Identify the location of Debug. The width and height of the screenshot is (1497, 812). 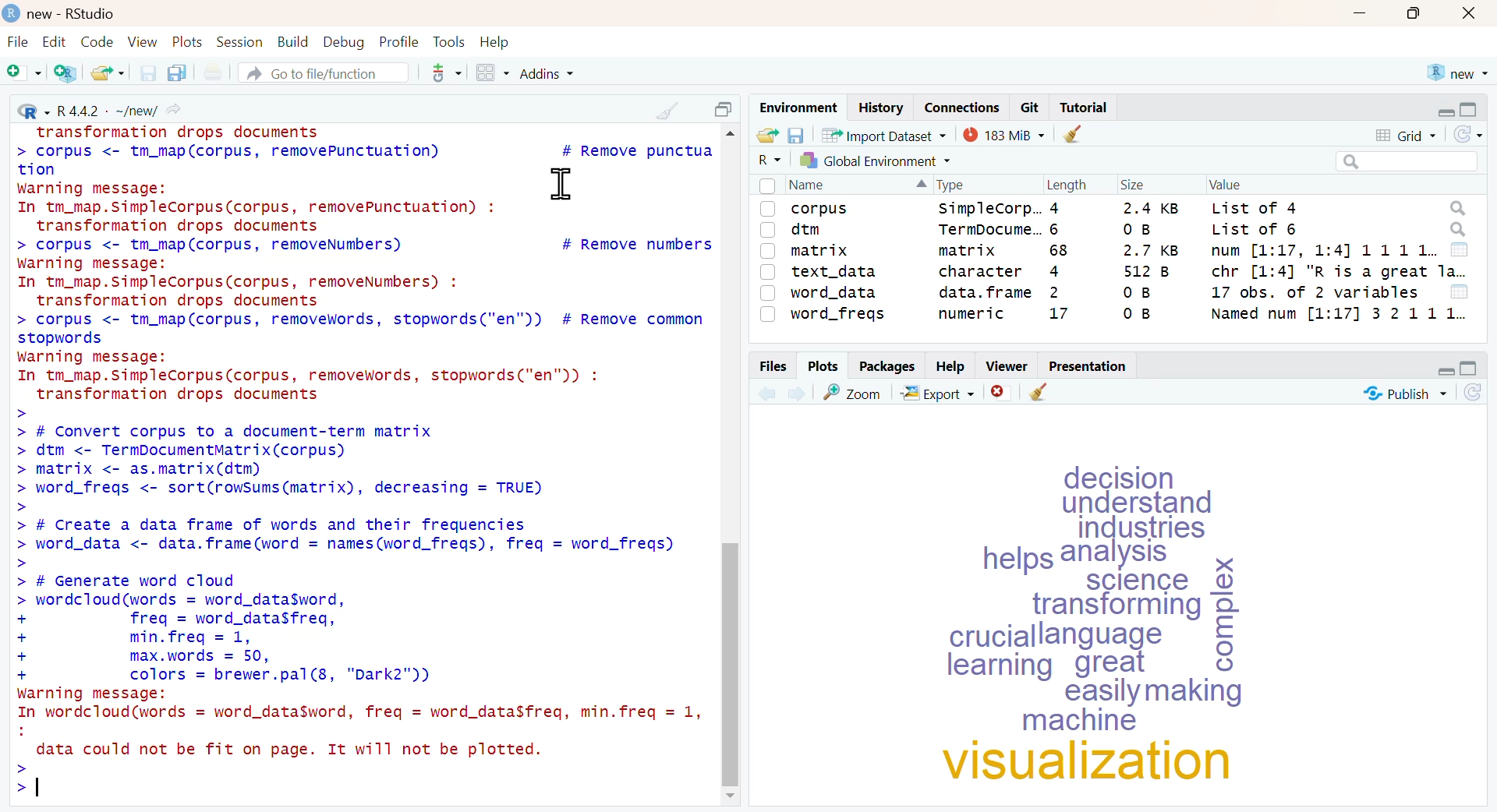
(345, 44).